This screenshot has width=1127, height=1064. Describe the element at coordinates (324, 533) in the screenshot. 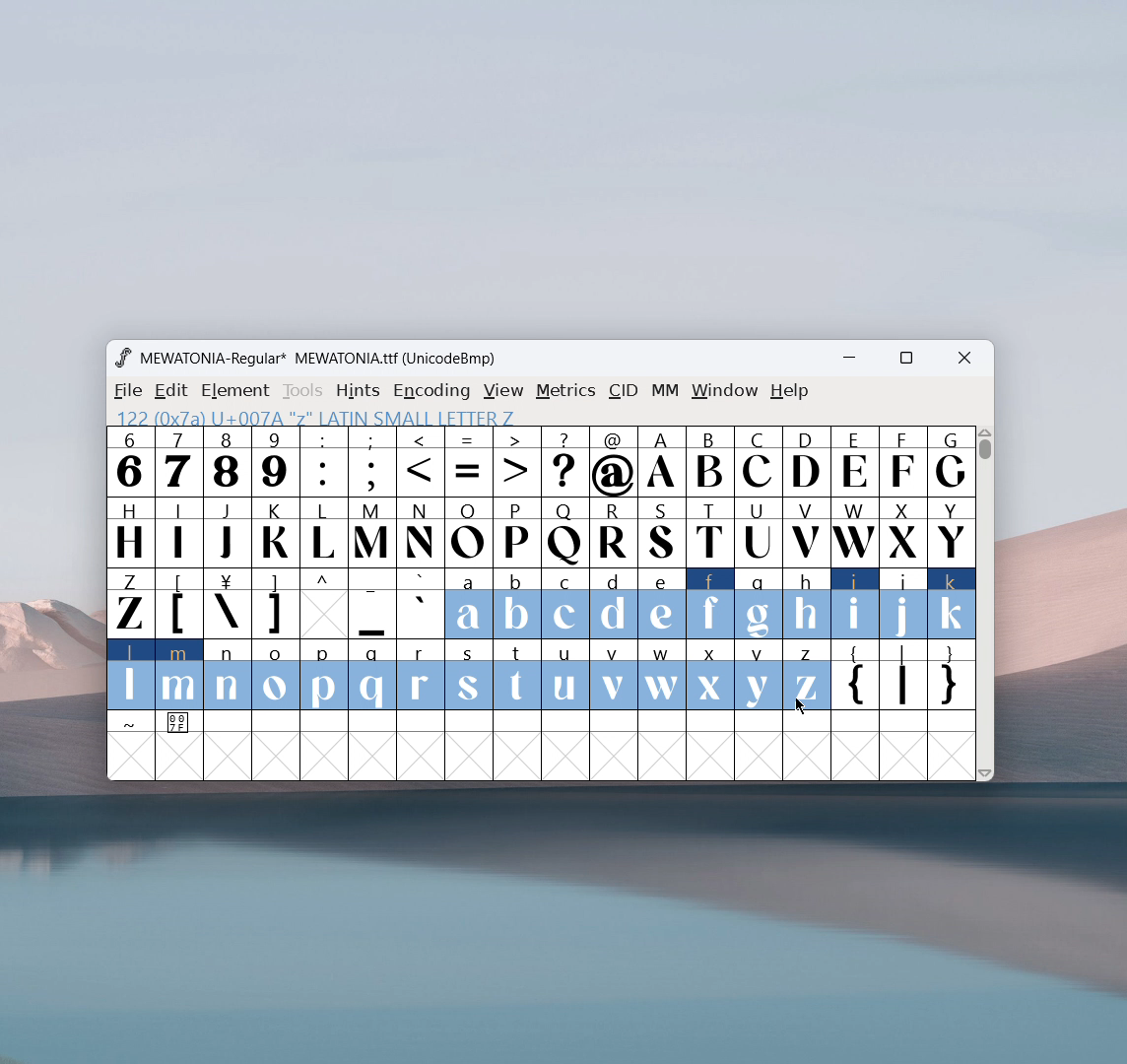

I see `charachters` at that location.